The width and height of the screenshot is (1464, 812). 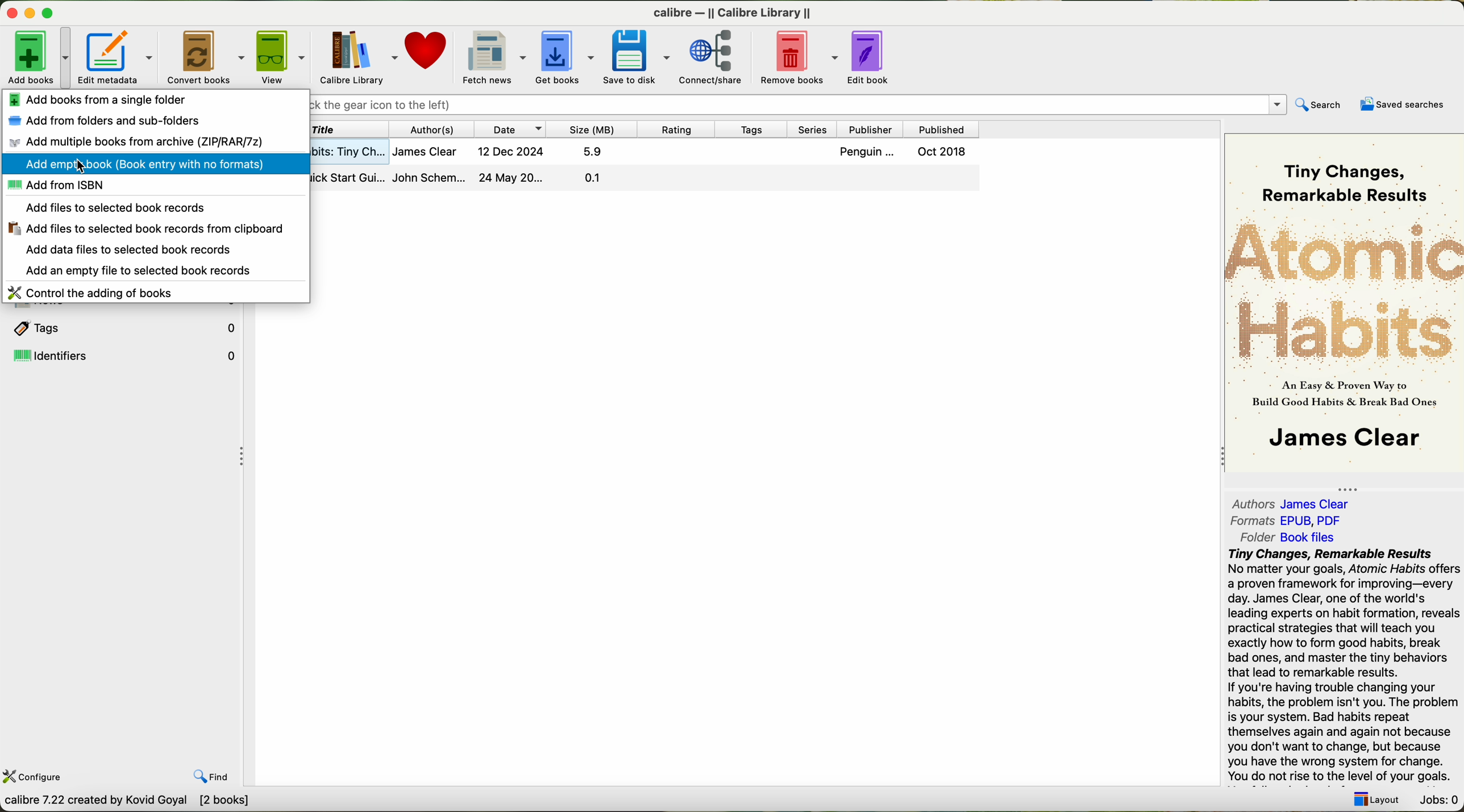 What do you see at coordinates (9, 9) in the screenshot?
I see `close program` at bounding box center [9, 9].